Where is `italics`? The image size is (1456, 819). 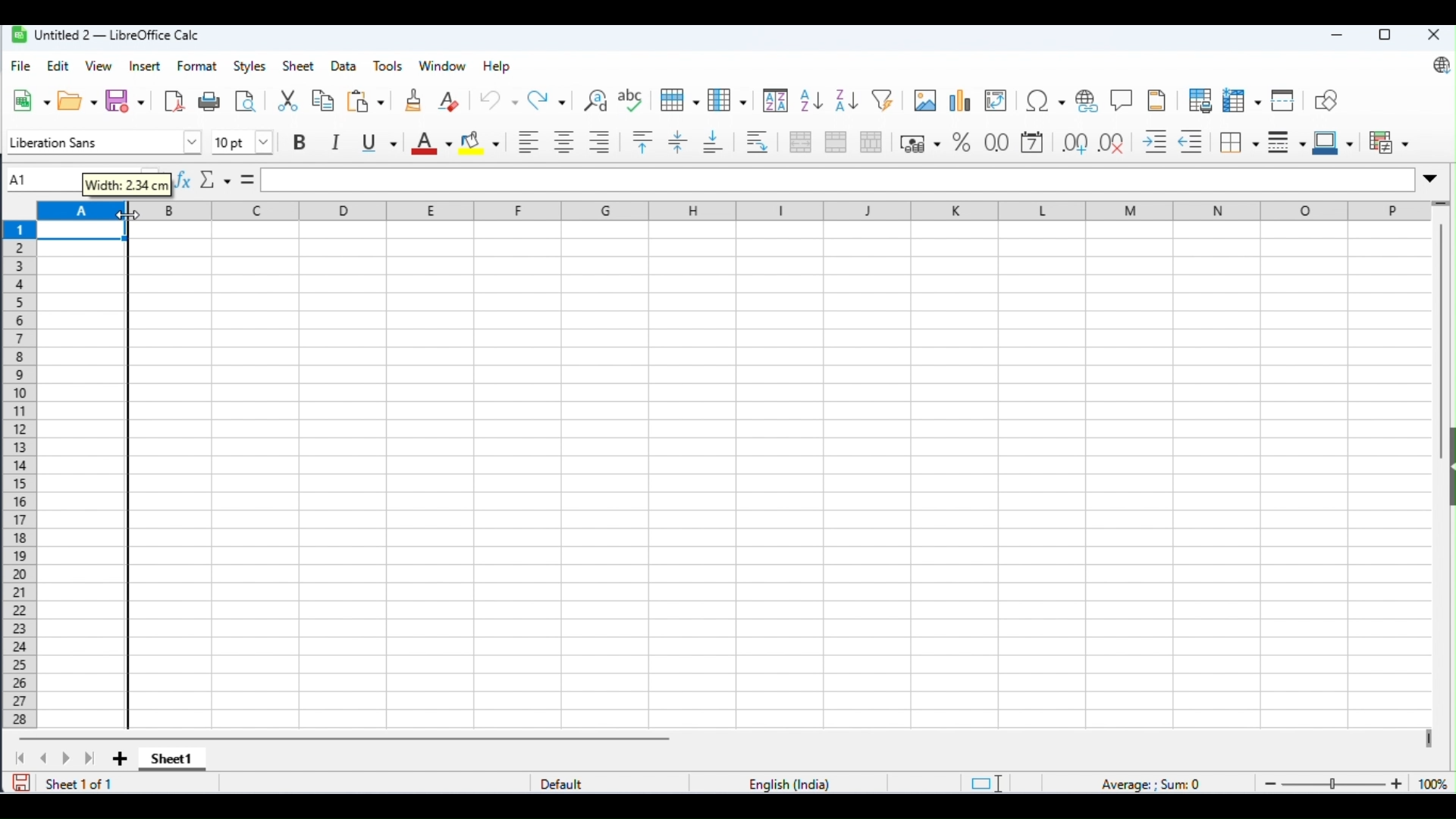
italics is located at coordinates (336, 141).